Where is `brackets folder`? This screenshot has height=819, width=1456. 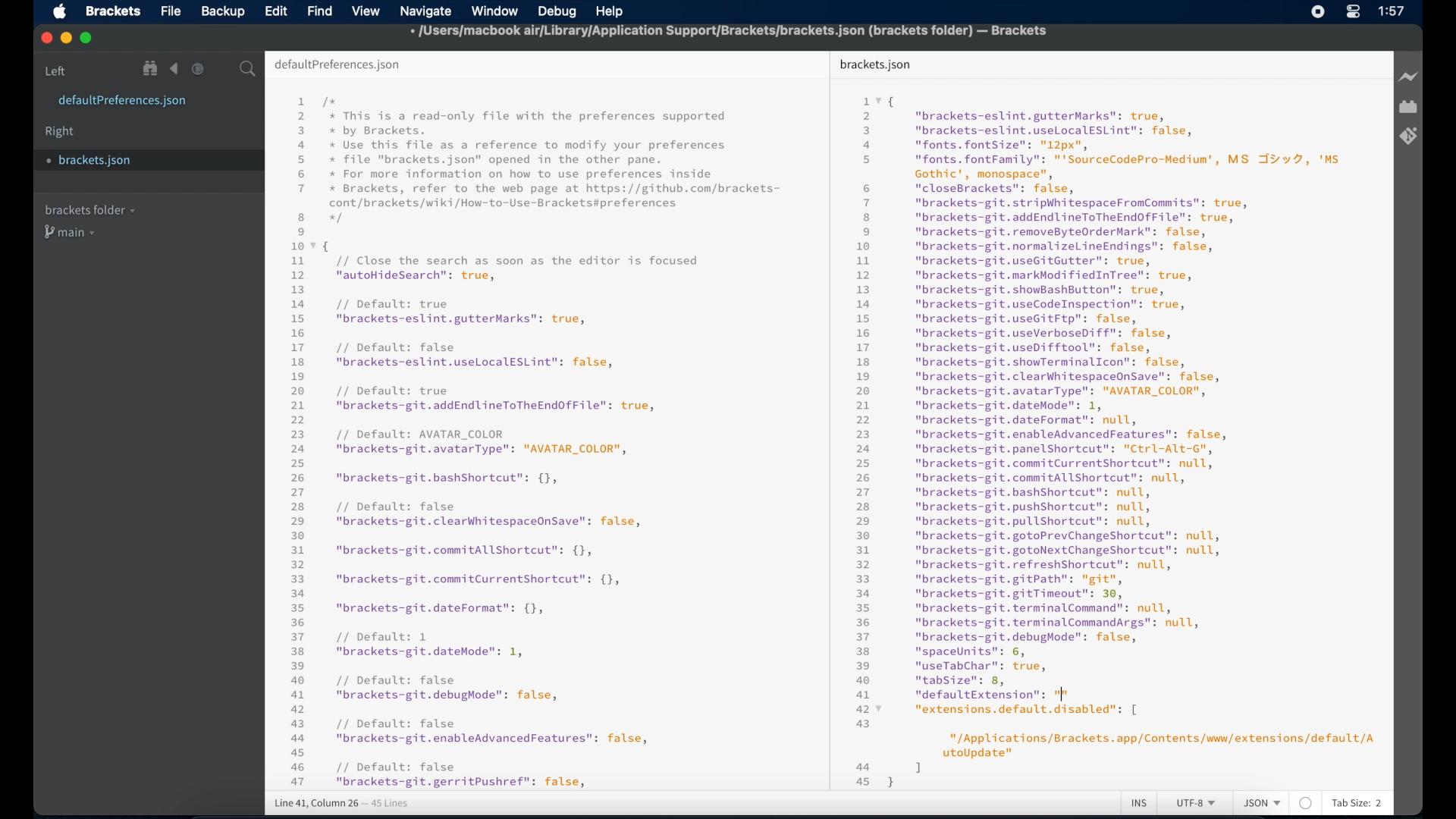
brackets folder is located at coordinates (89, 209).